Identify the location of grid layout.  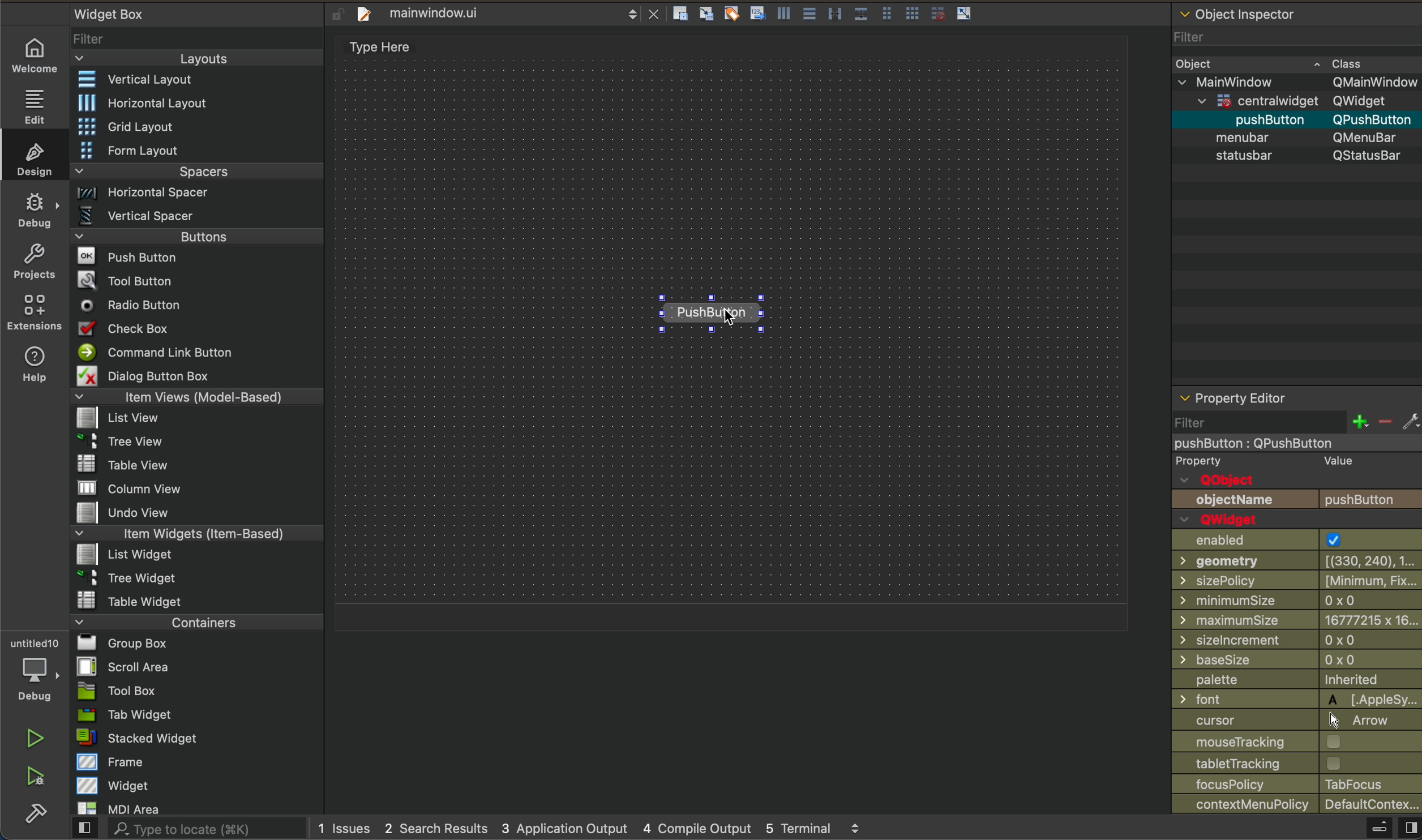
(199, 126).